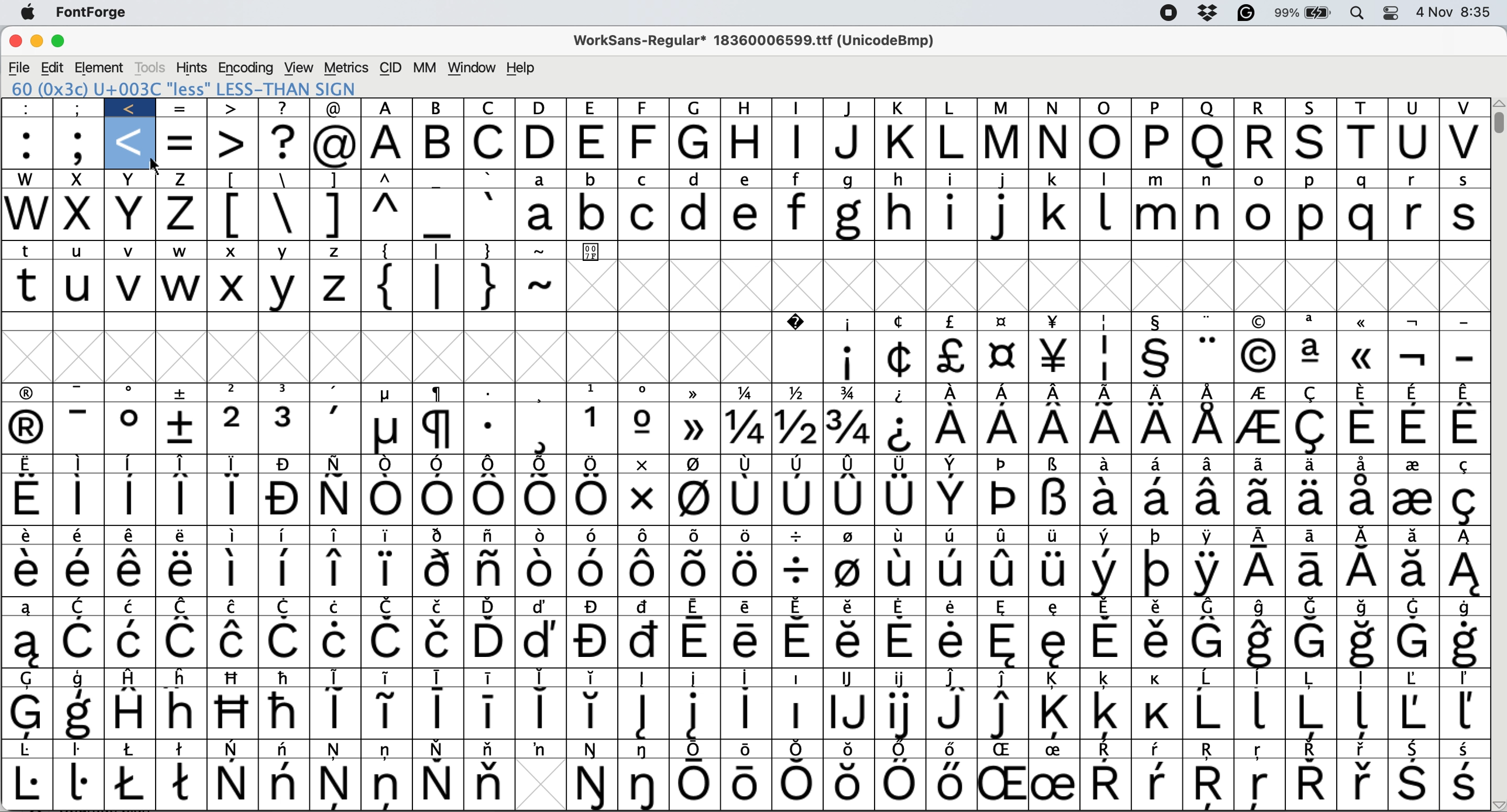 The width and height of the screenshot is (1507, 812). I want to click on Symbol, so click(440, 498).